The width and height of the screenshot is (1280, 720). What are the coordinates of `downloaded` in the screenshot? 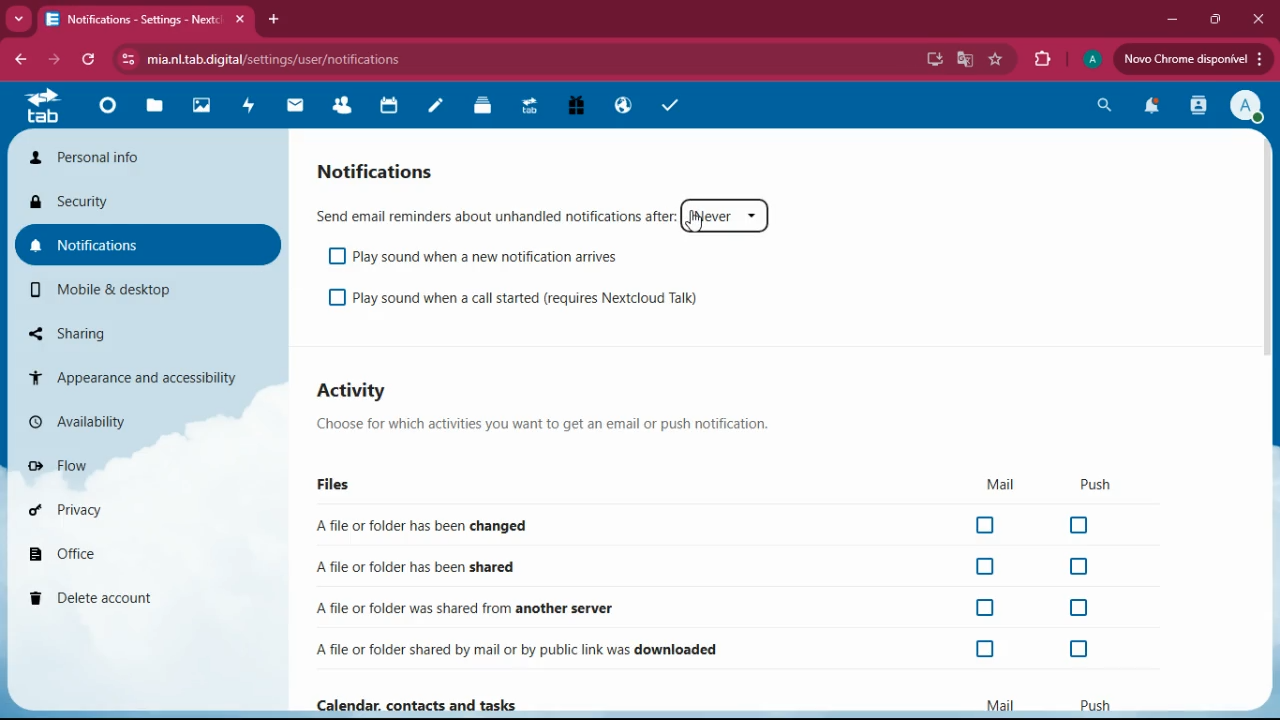 It's located at (523, 646).